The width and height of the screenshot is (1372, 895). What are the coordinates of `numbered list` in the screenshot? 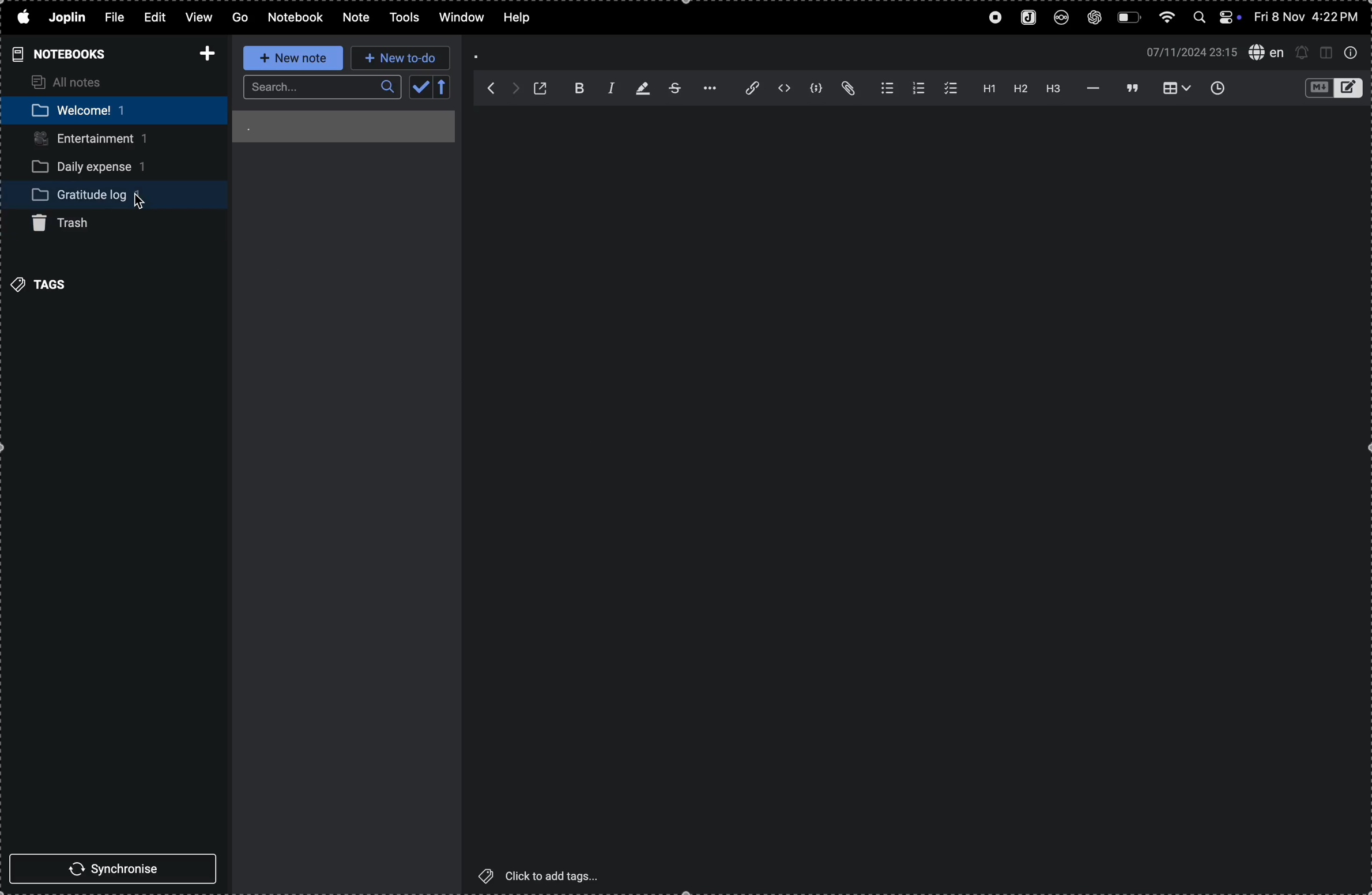 It's located at (917, 89).